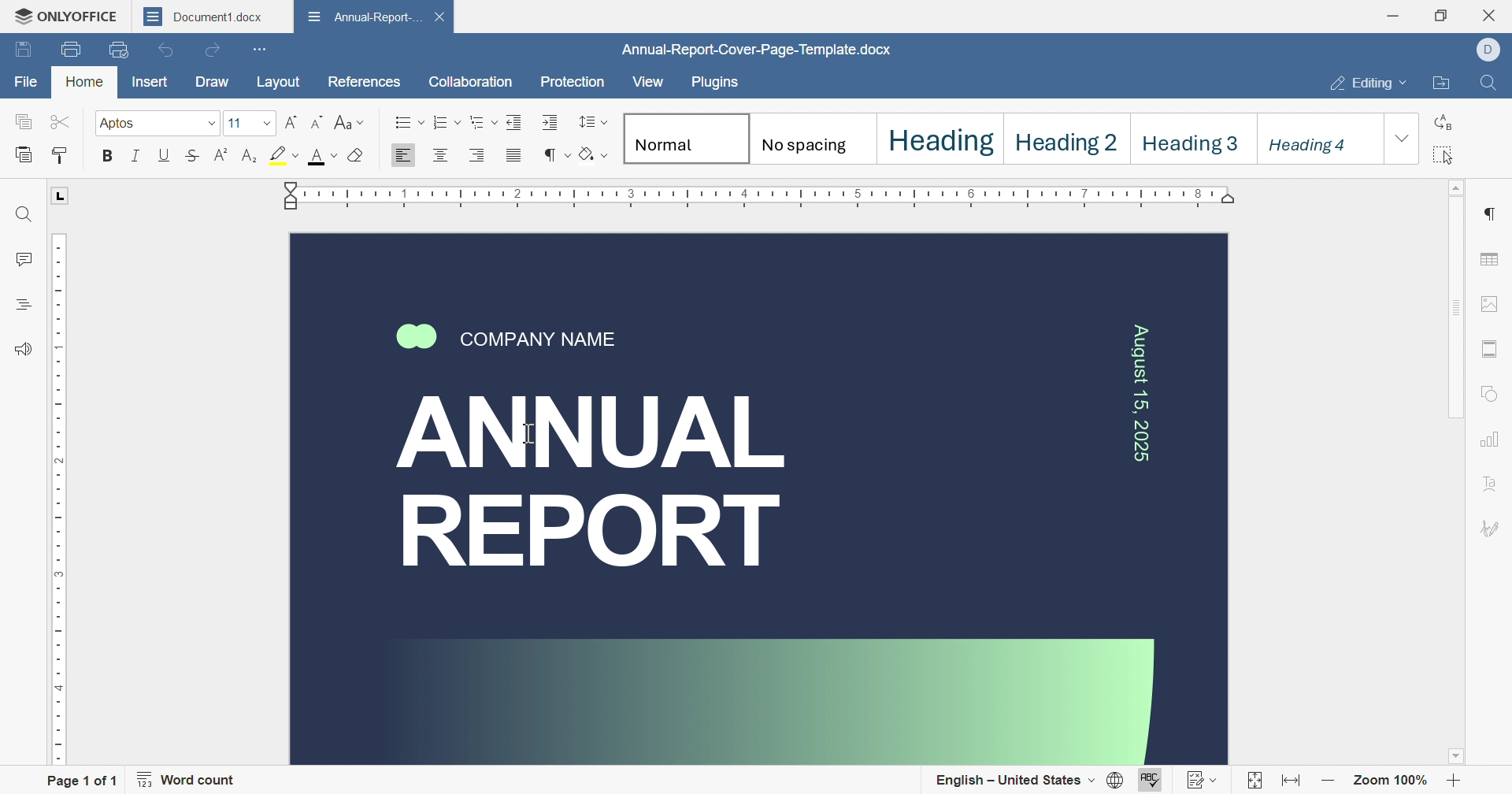 This screenshot has width=1512, height=794. Describe the element at coordinates (23, 305) in the screenshot. I see `headings` at that location.